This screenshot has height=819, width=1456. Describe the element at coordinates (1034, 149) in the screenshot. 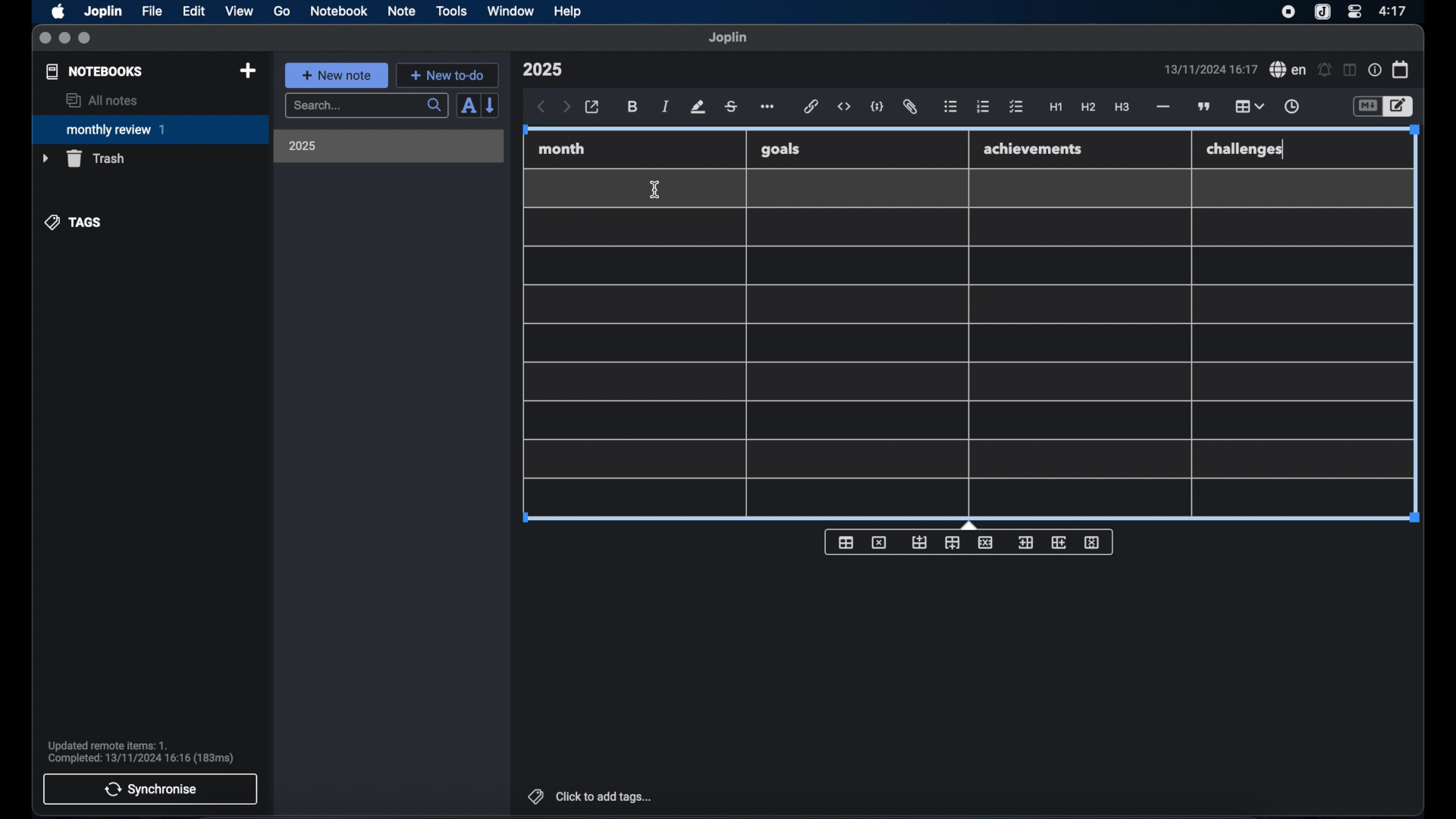

I see `achievements` at that location.